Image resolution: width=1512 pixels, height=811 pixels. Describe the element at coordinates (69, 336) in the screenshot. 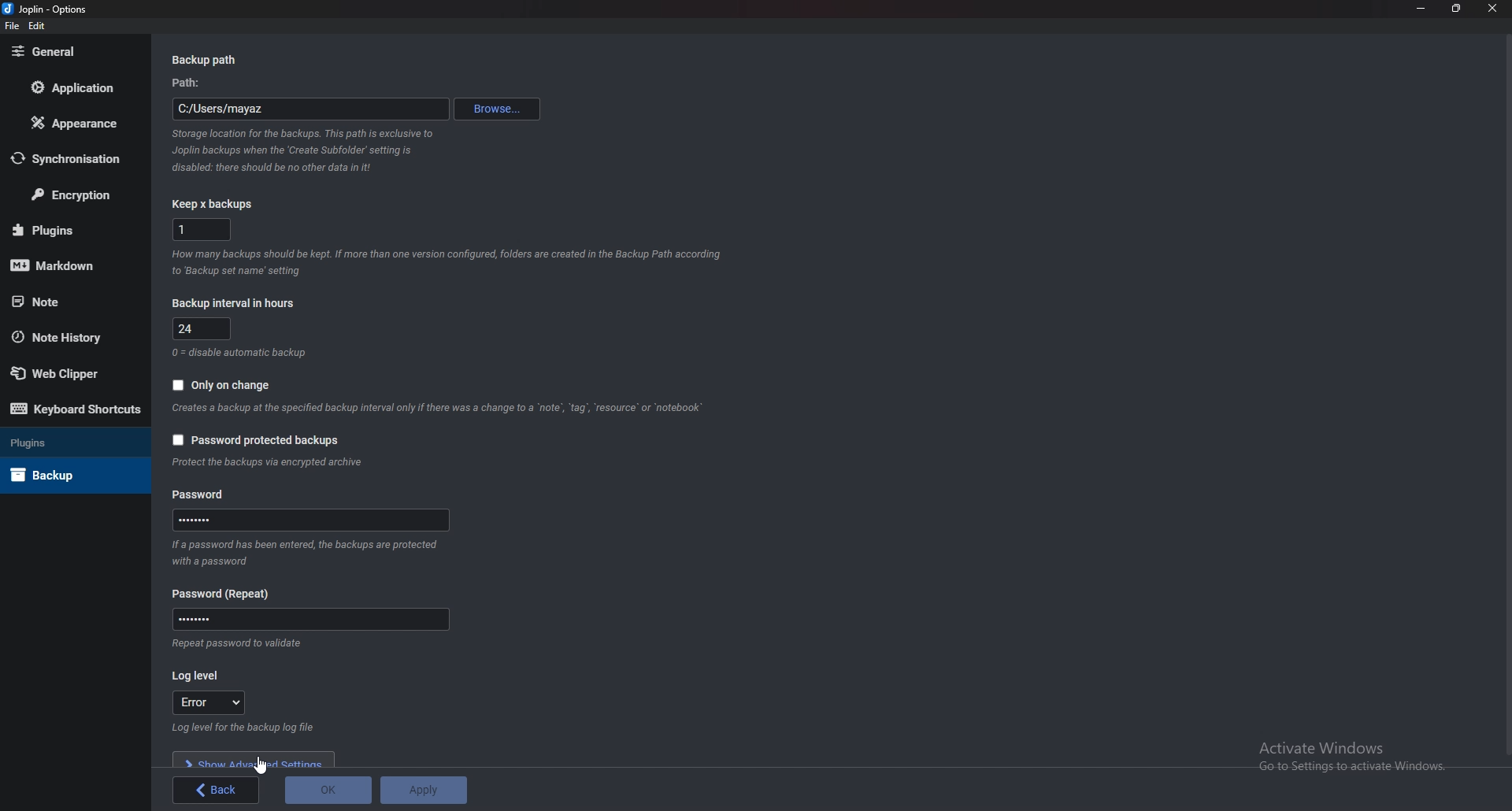

I see `Note history` at that location.